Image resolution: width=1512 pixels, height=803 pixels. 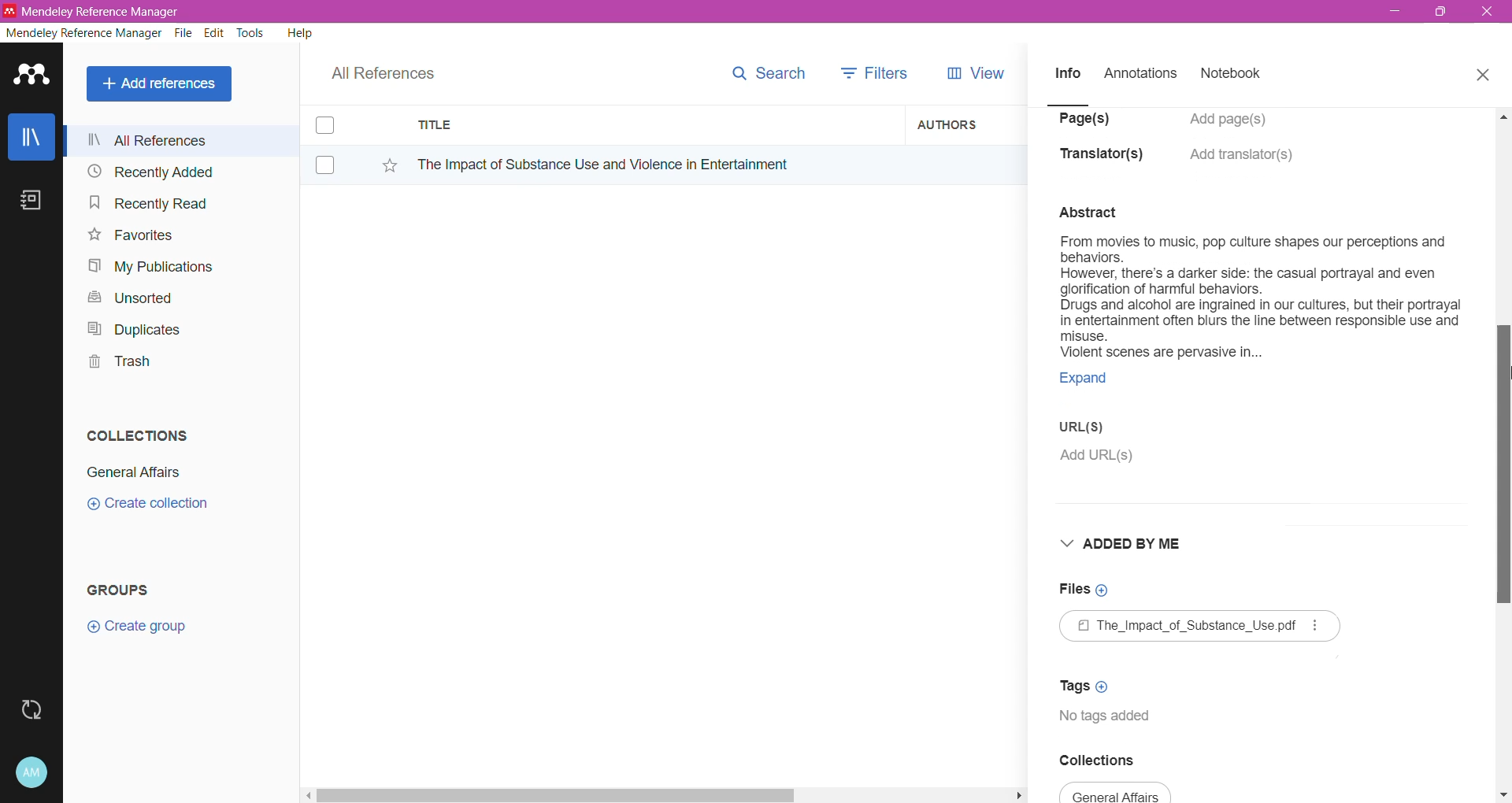 What do you see at coordinates (84, 33) in the screenshot?
I see `Mendeley Reference Manager` at bounding box center [84, 33].